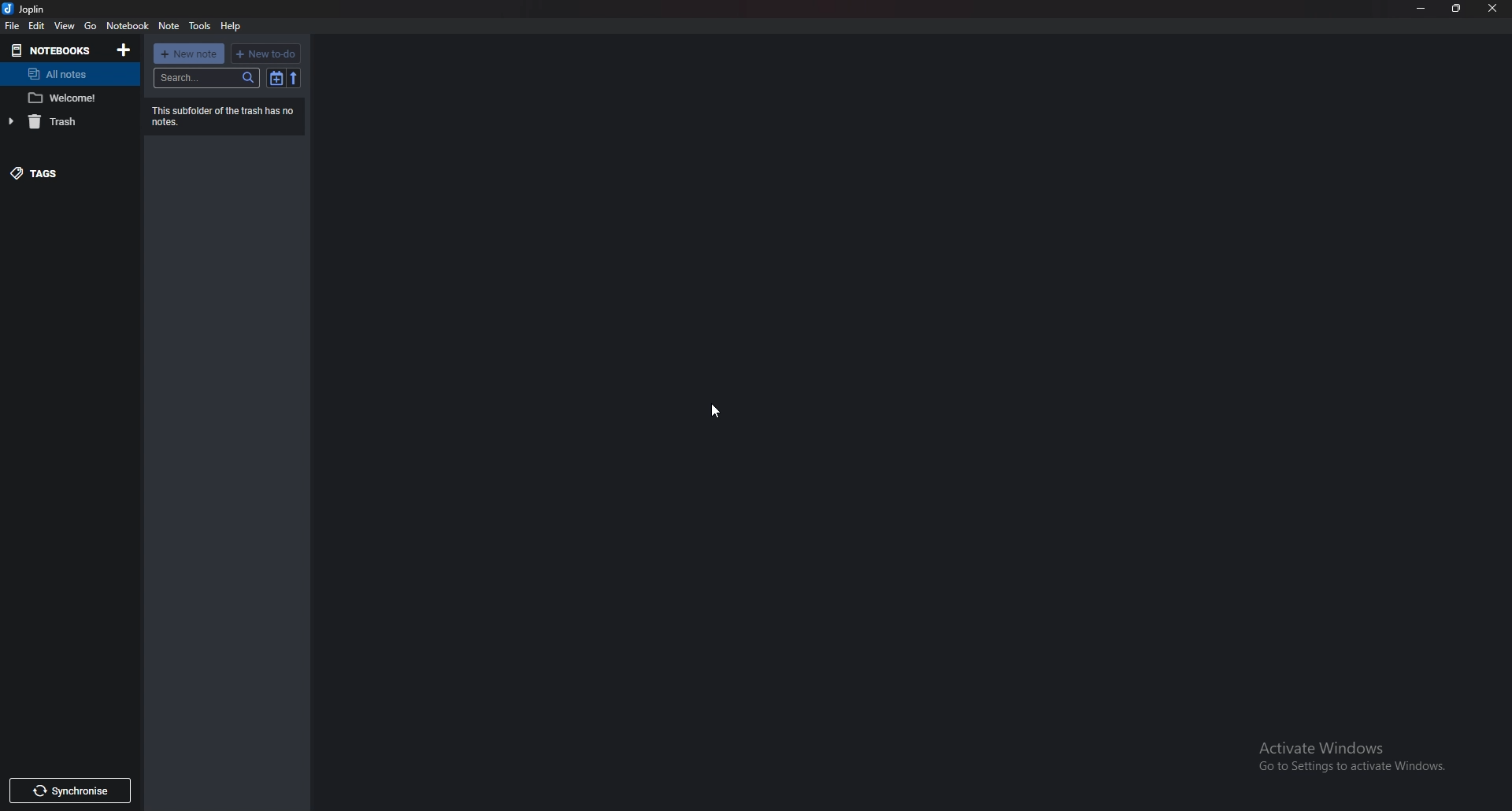  Describe the element at coordinates (65, 74) in the screenshot. I see `all notes` at that location.